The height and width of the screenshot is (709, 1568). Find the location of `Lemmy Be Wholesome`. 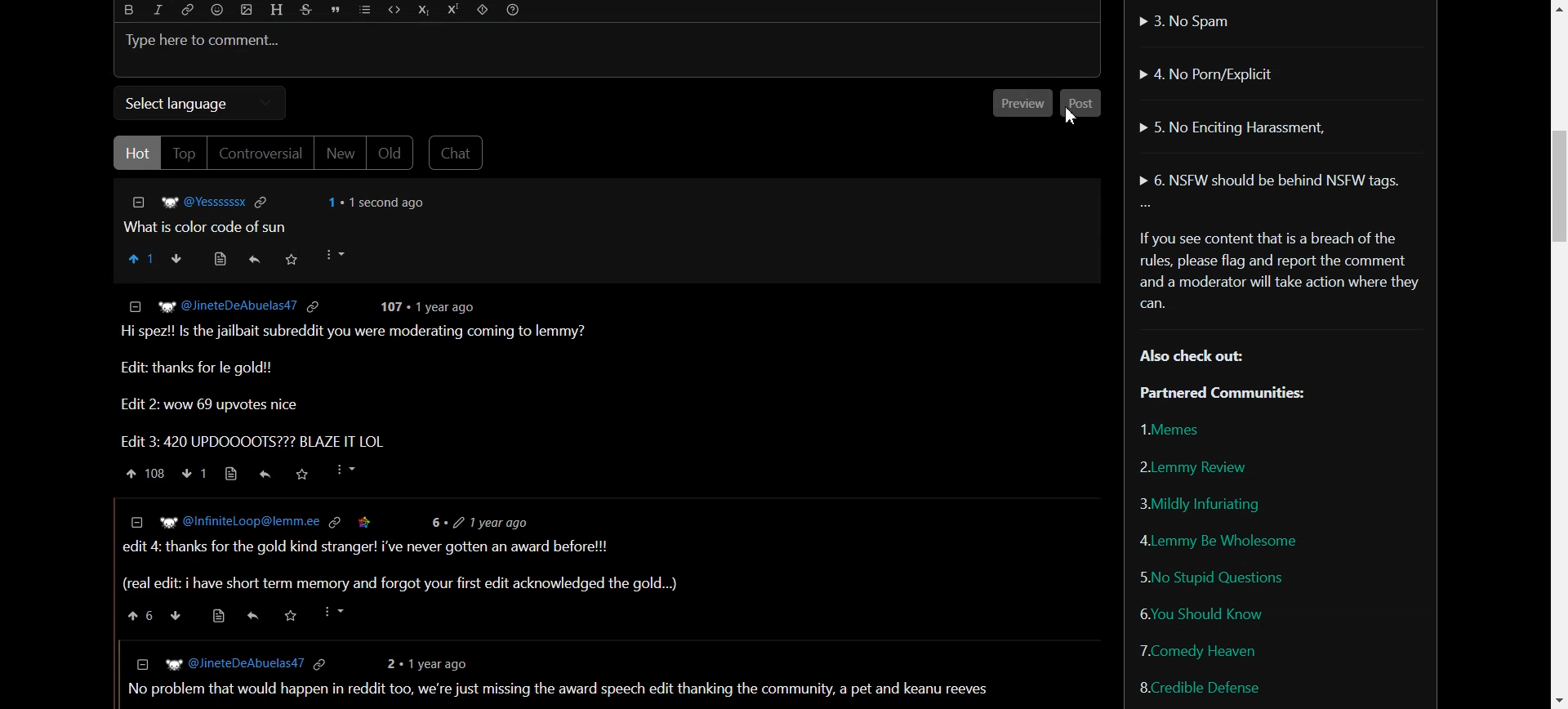

Lemmy Be Wholesome is located at coordinates (1218, 540).